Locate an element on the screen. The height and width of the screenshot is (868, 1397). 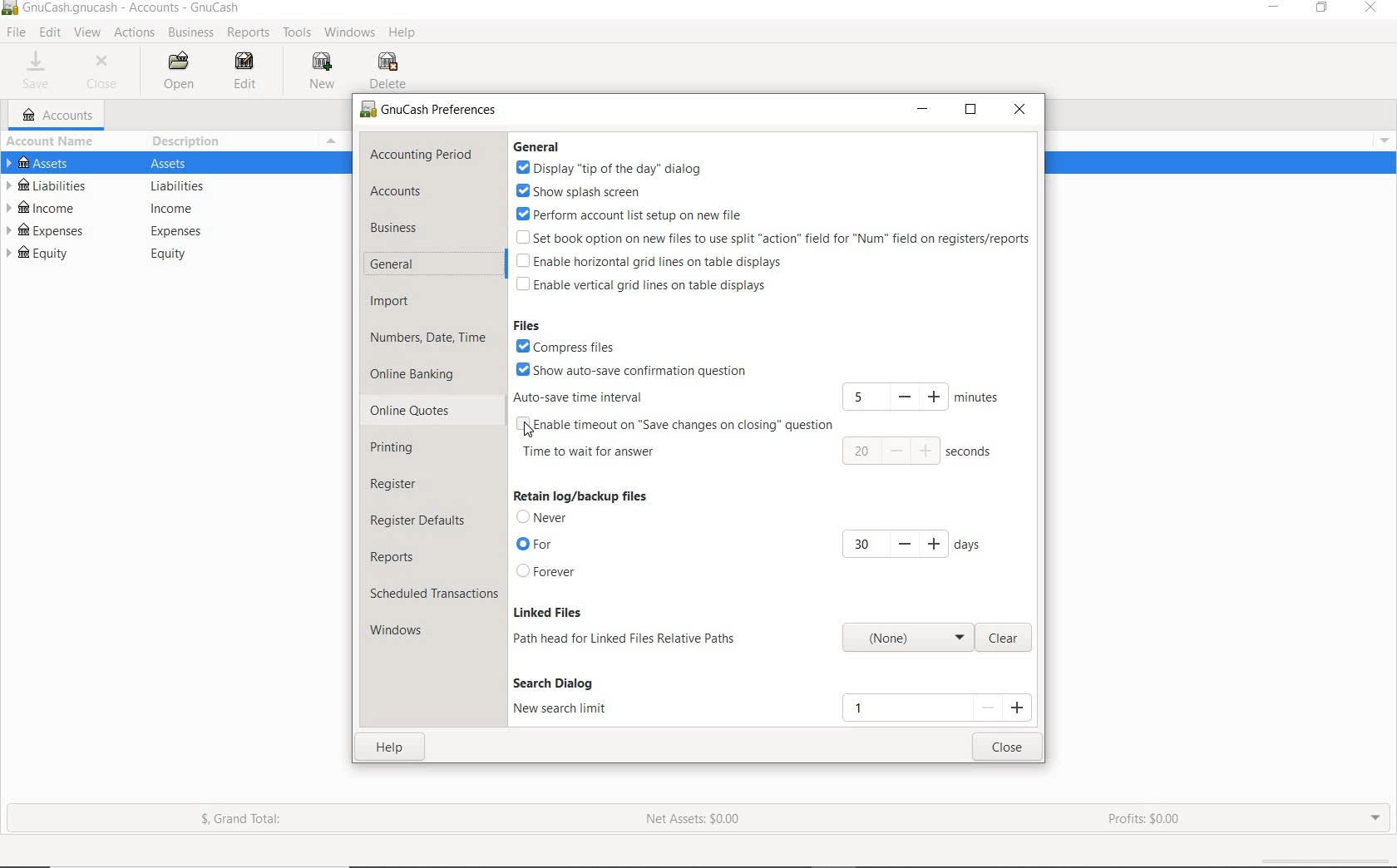
REGISTER DEFAULTS is located at coordinates (419, 520).